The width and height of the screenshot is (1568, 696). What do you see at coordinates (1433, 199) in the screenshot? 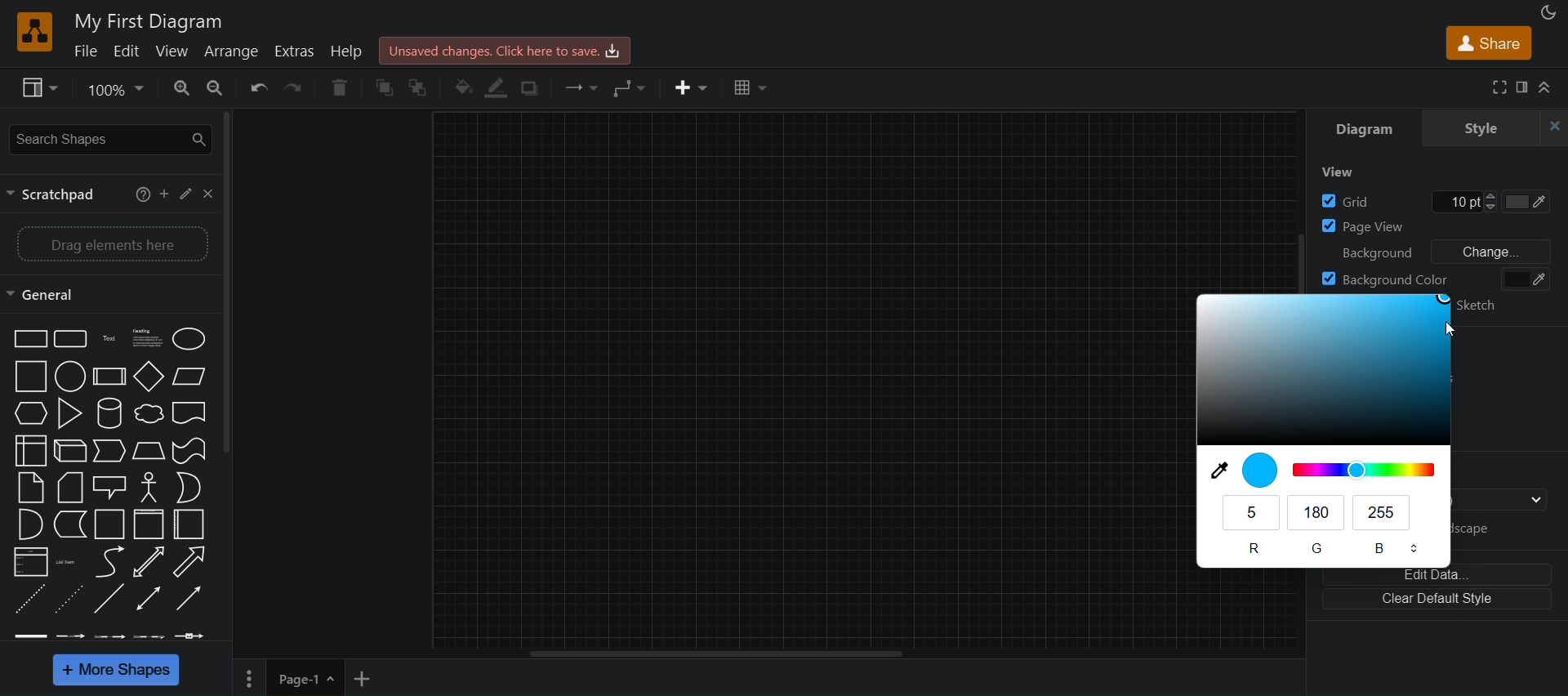
I see `grid` at bounding box center [1433, 199].